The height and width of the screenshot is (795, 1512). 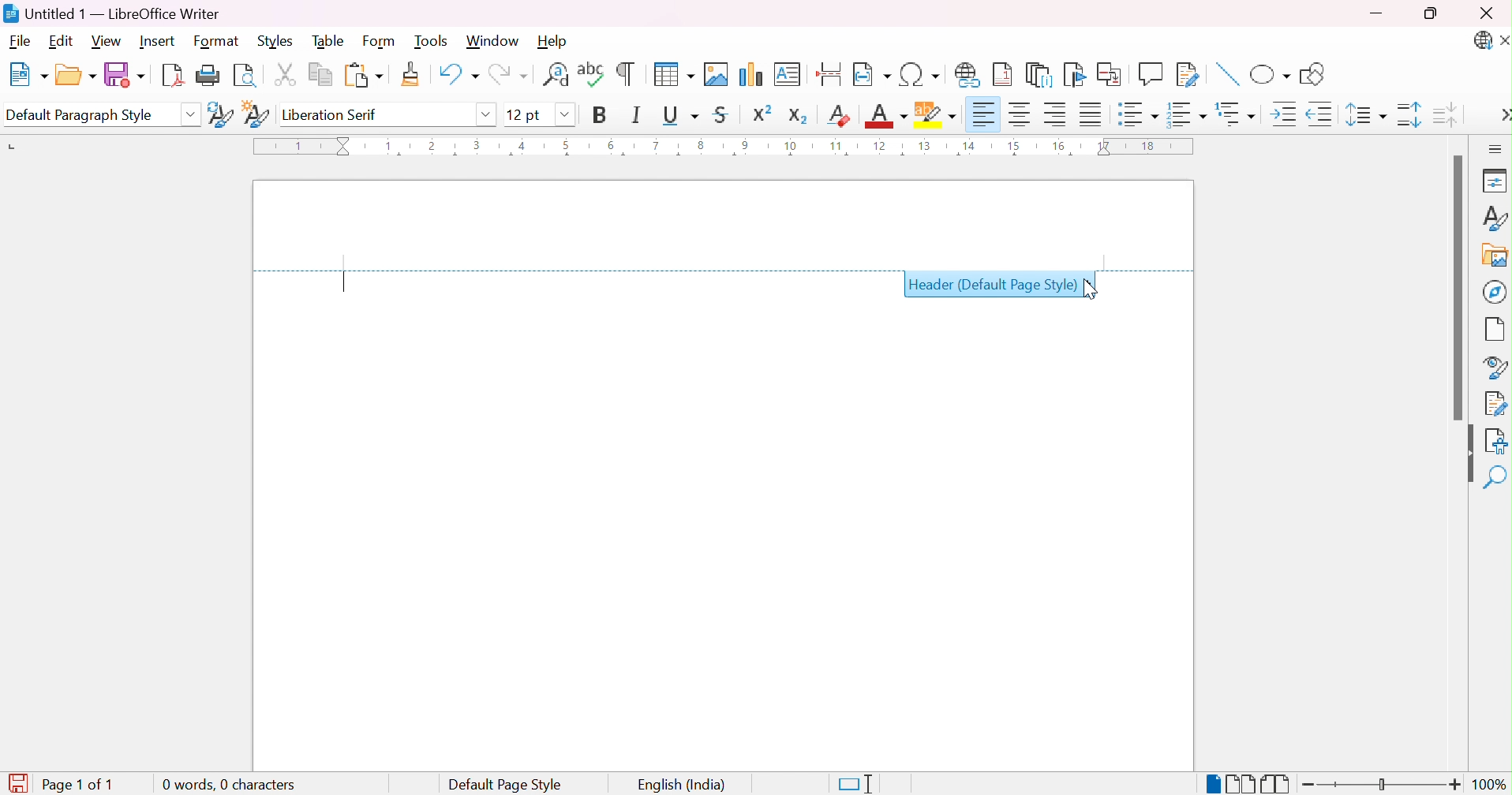 What do you see at coordinates (1496, 149) in the screenshot?
I see `Sidebar settings` at bounding box center [1496, 149].